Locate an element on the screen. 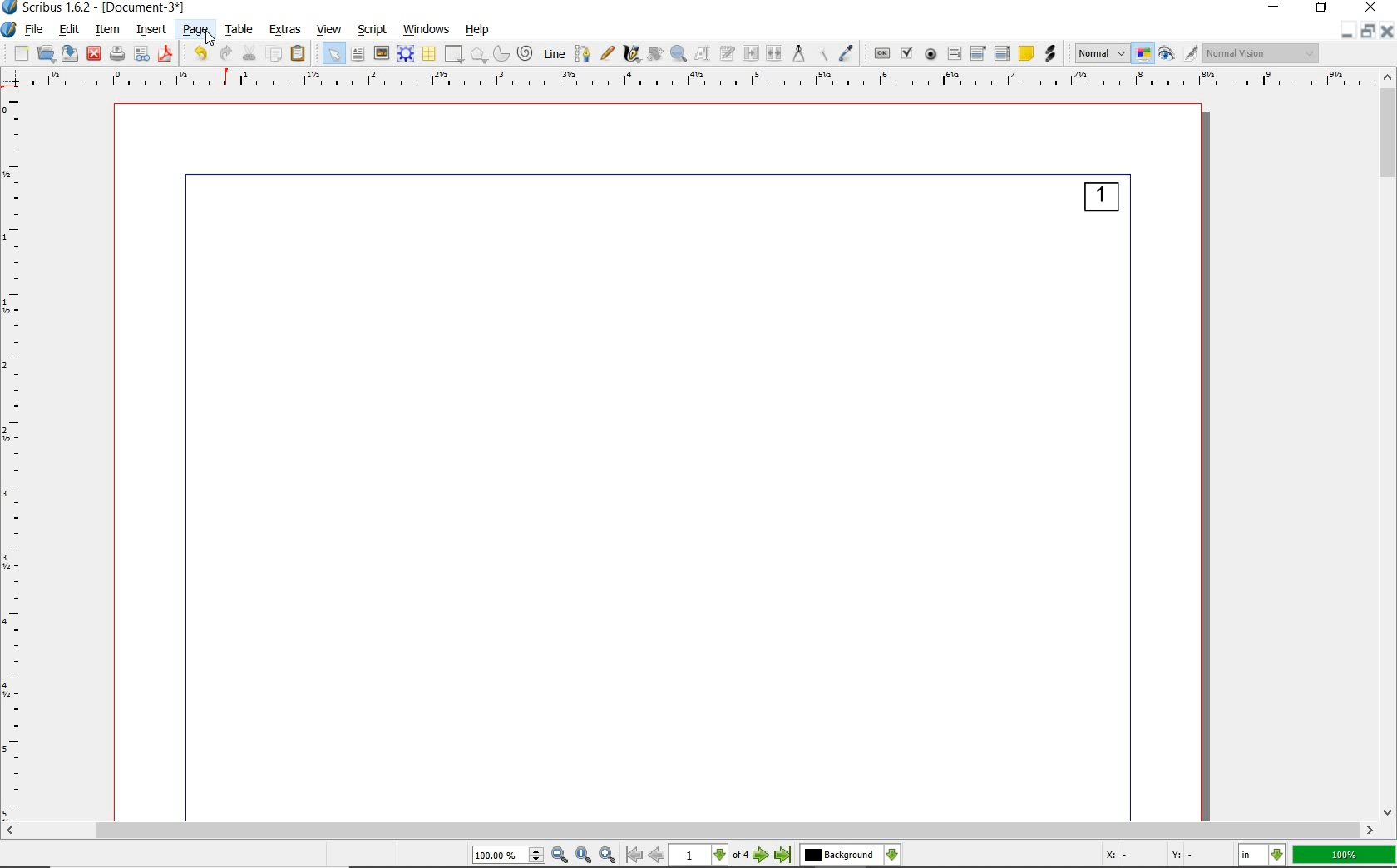 The width and height of the screenshot is (1397, 868). arc is located at coordinates (503, 54).